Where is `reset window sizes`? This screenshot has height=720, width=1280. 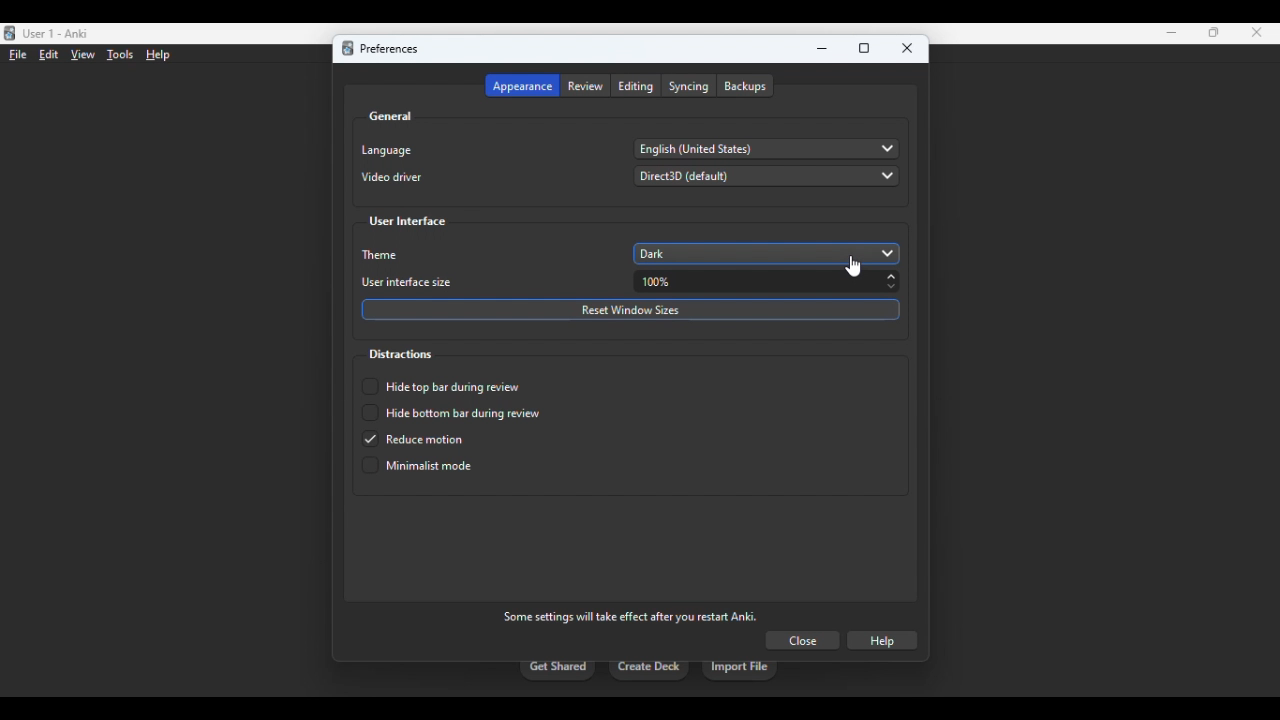
reset window sizes is located at coordinates (631, 310).